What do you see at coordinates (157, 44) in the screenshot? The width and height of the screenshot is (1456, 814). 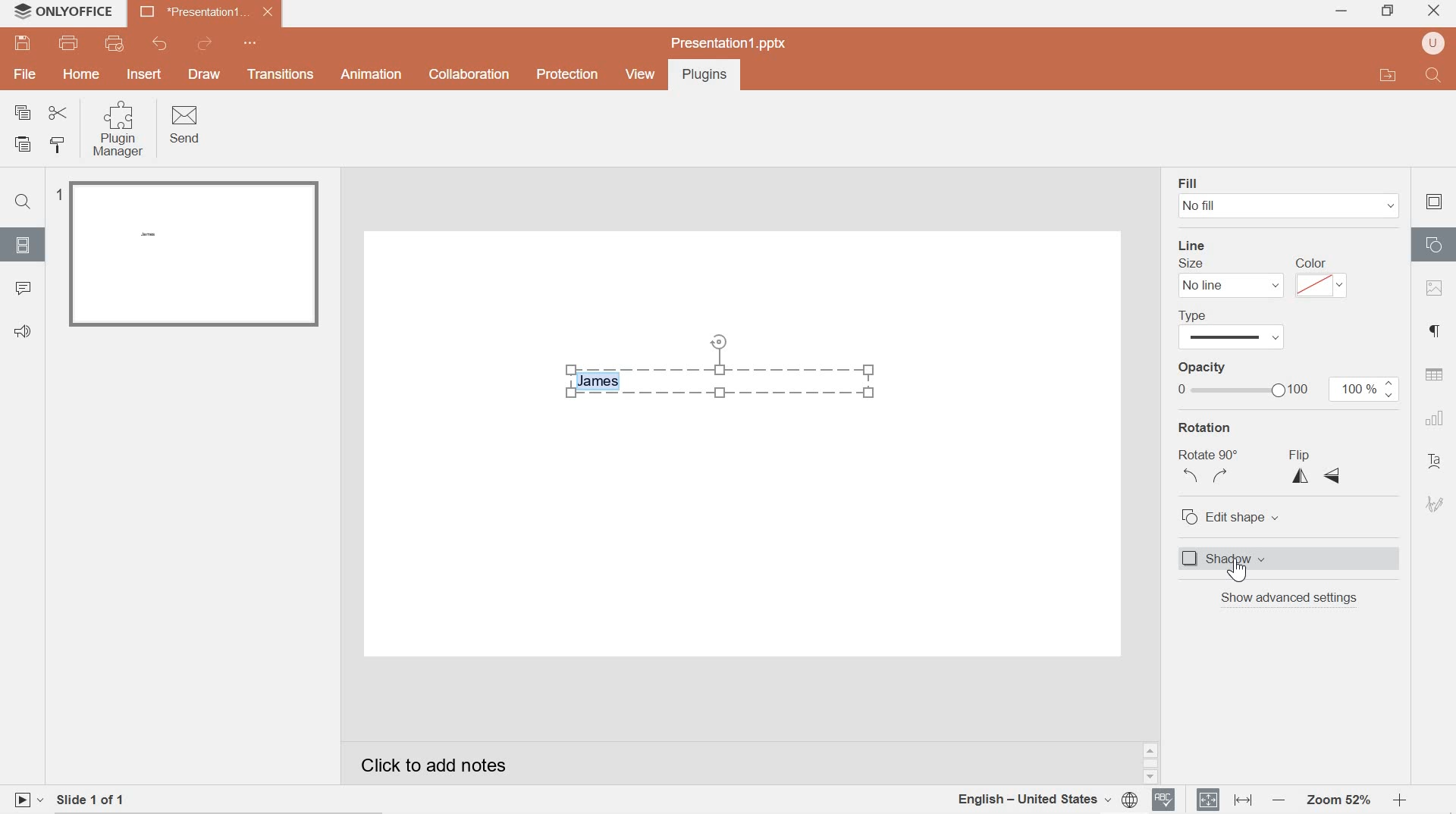 I see `undo` at bounding box center [157, 44].